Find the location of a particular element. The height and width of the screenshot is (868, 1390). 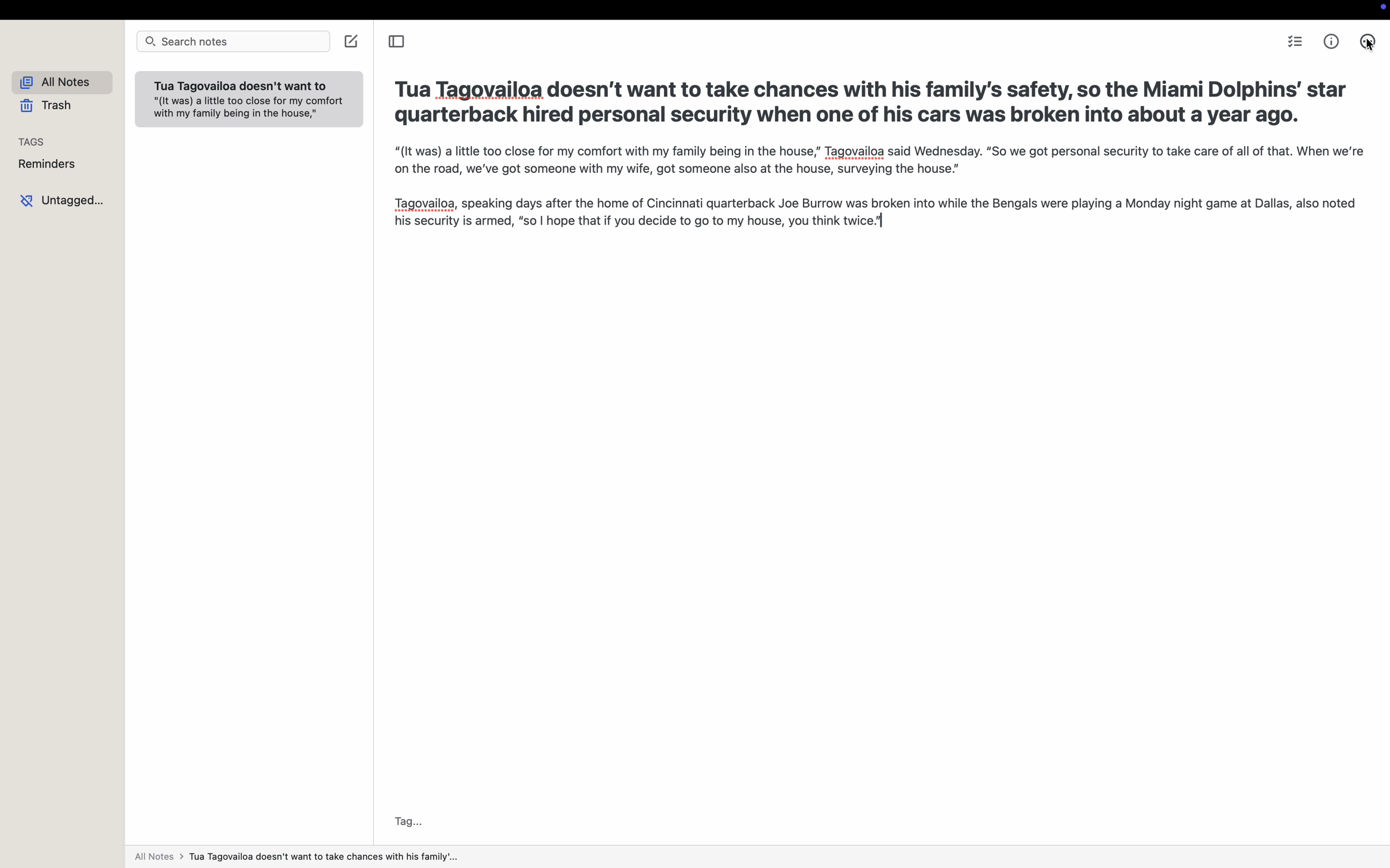

Tua Tagovailoa doesn’t want to take chances with his family’s safety, so the Miami Dolphins’ star
quarterback hired personal security when one of his cars was broken into about a year ago. is located at coordinates (872, 98).